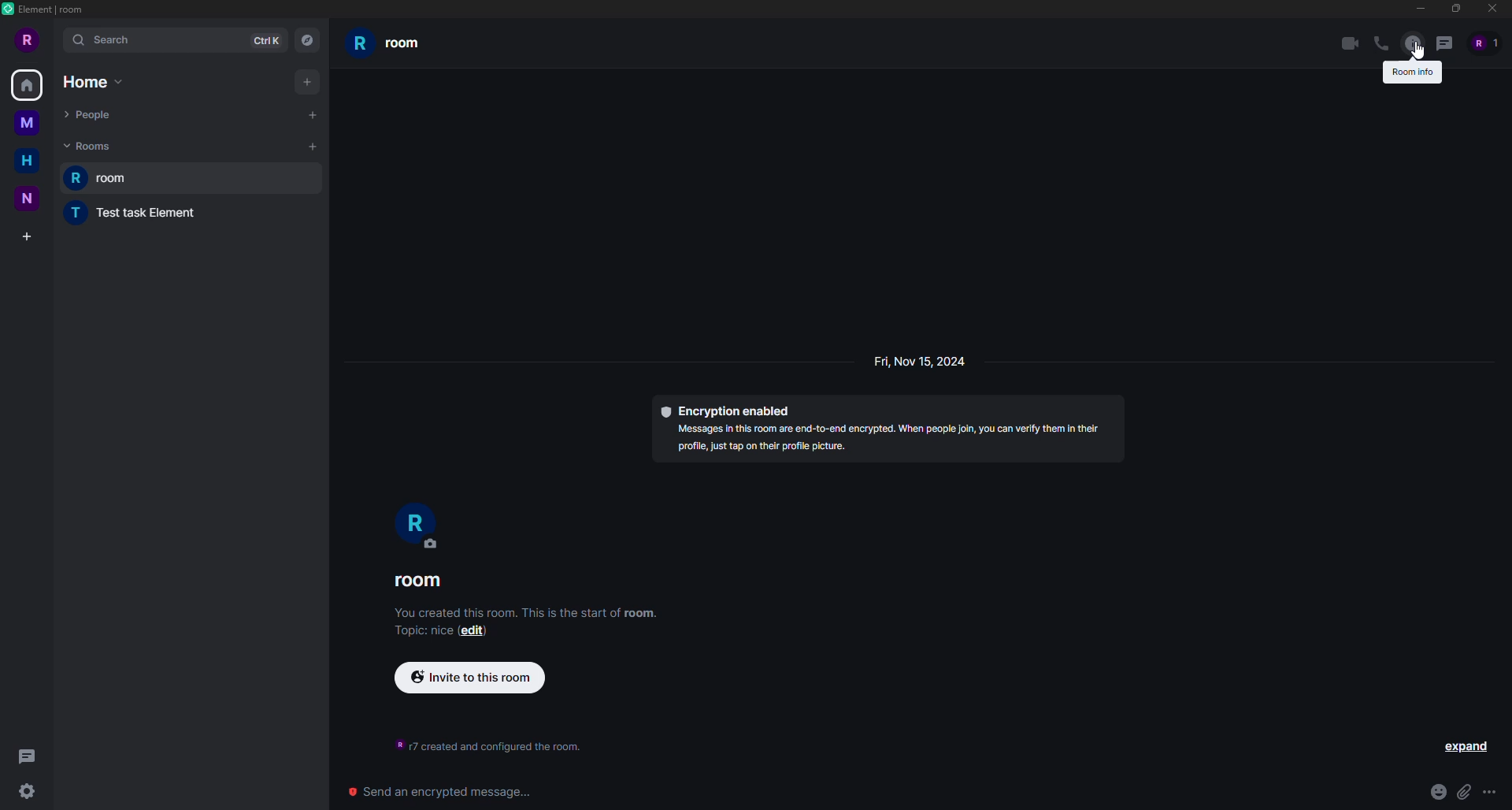 This screenshot has width=1512, height=810. I want to click on people, so click(93, 112).